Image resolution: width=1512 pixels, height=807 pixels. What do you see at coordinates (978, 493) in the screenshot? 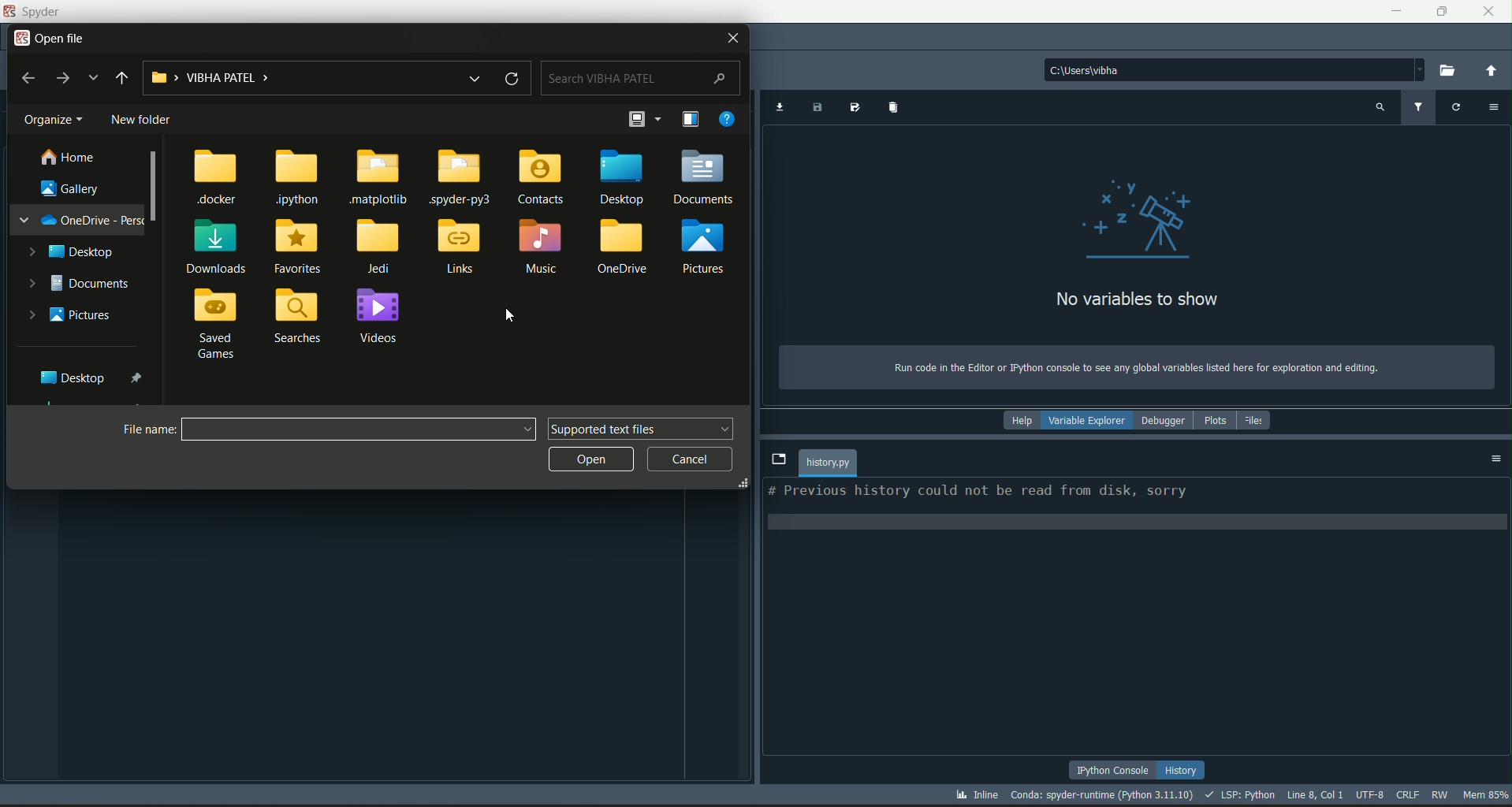
I see `text` at bounding box center [978, 493].